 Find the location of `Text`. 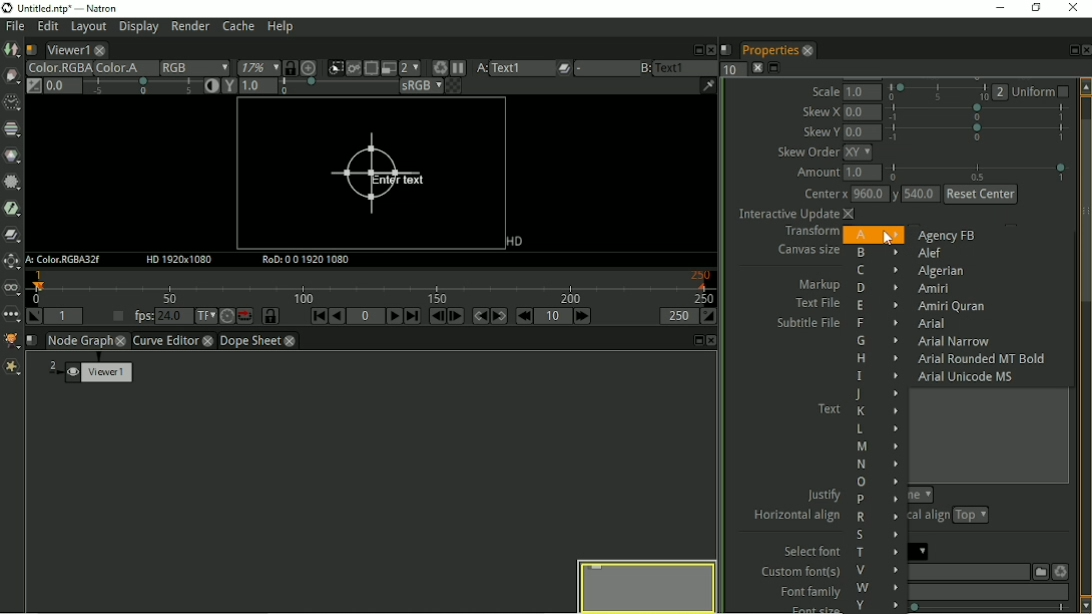

Text is located at coordinates (828, 407).